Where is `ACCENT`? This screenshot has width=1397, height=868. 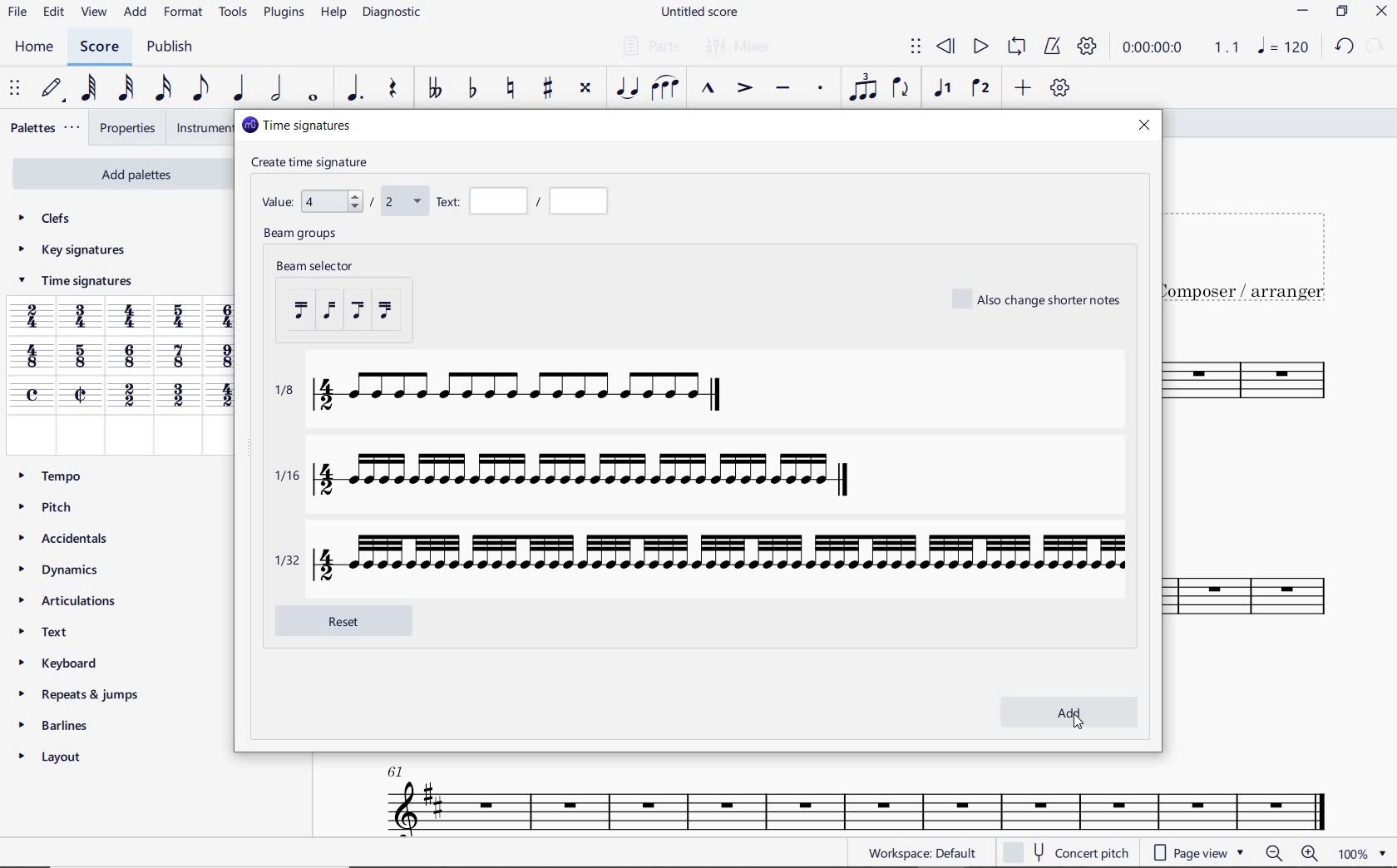
ACCENT is located at coordinates (744, 89).